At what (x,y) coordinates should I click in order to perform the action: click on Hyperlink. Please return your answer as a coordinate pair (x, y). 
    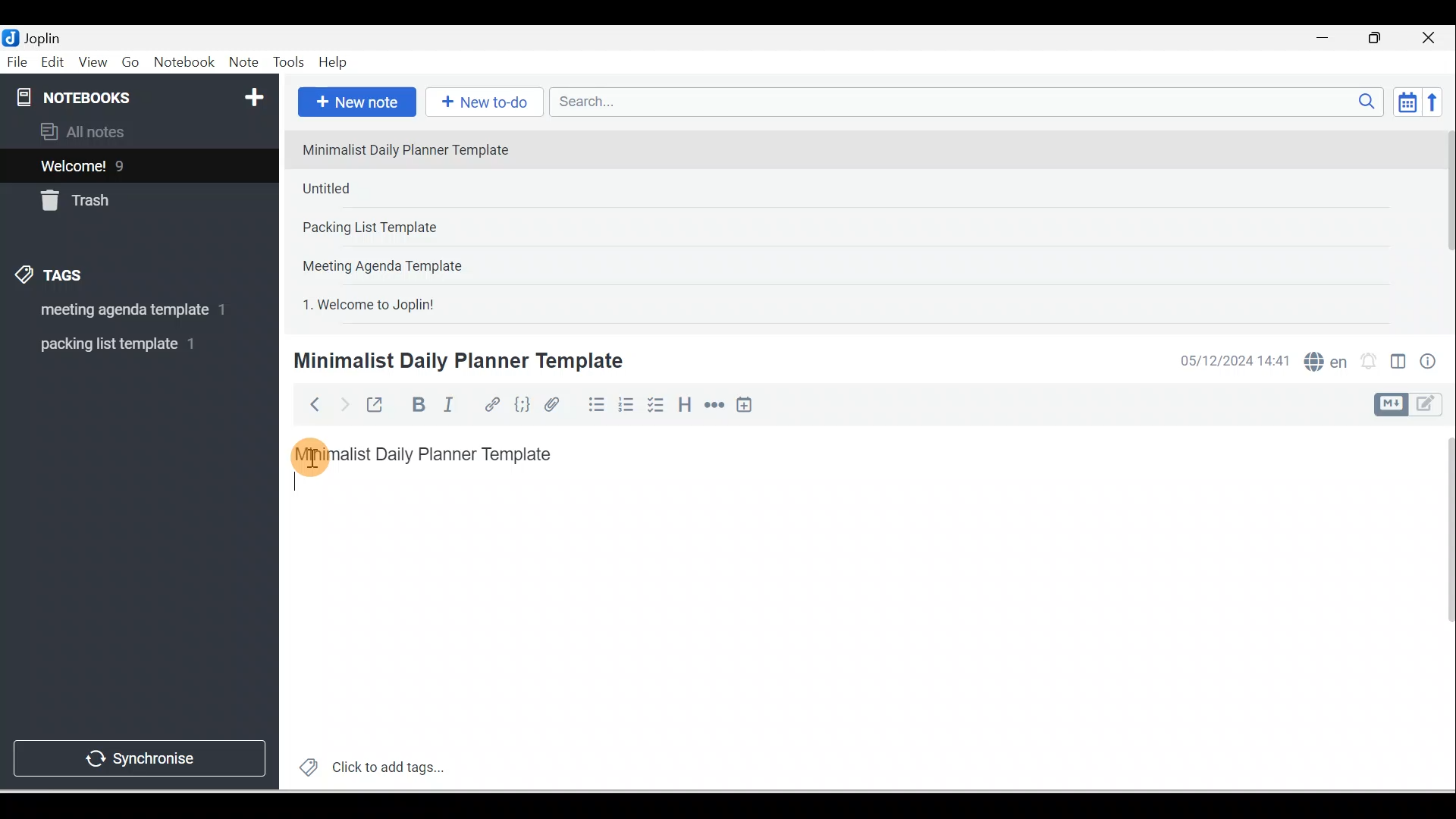
    Looking at the image, I should click on (491, 406).